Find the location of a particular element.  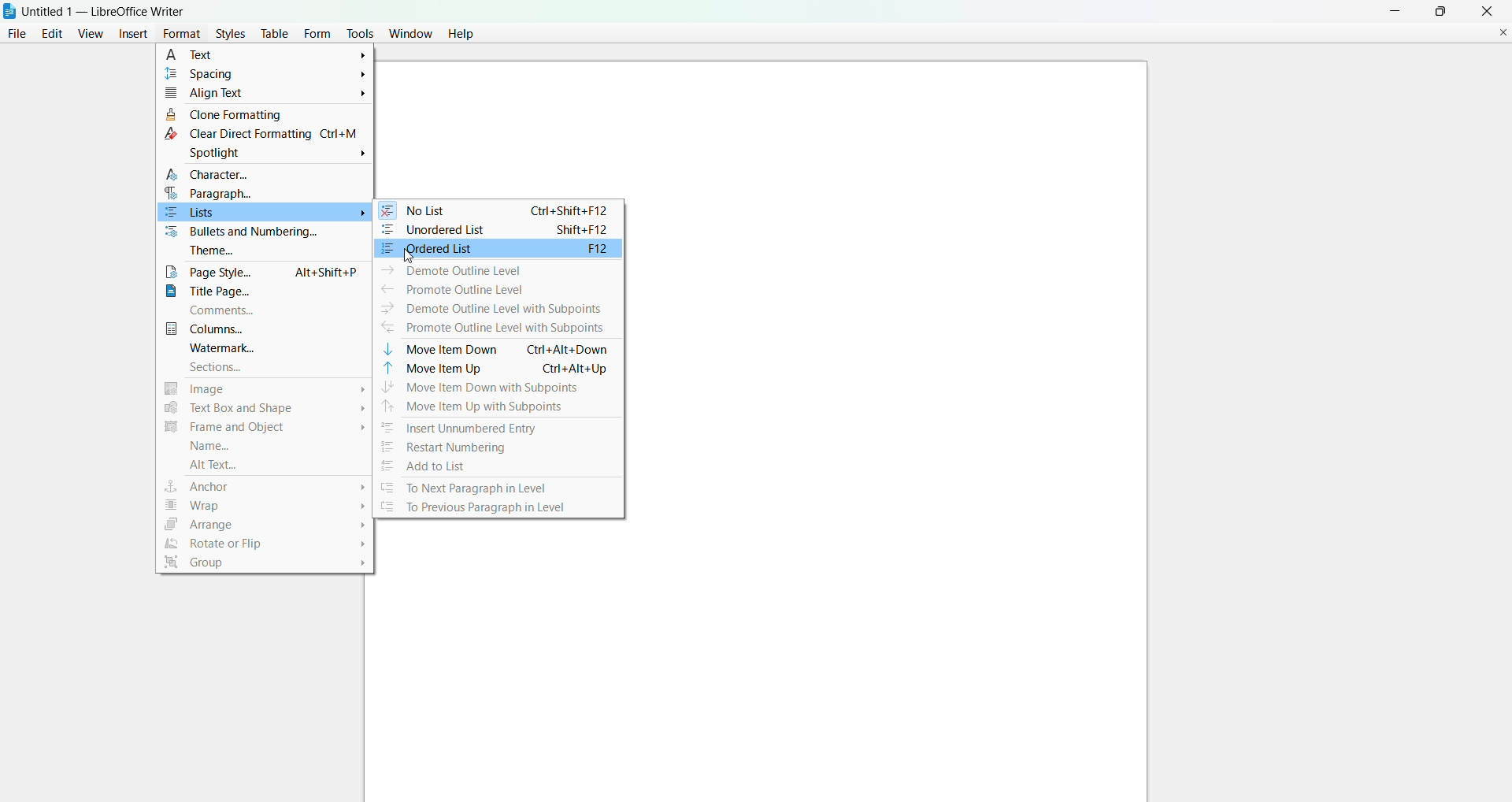

format is located at coordinates (178, 32).